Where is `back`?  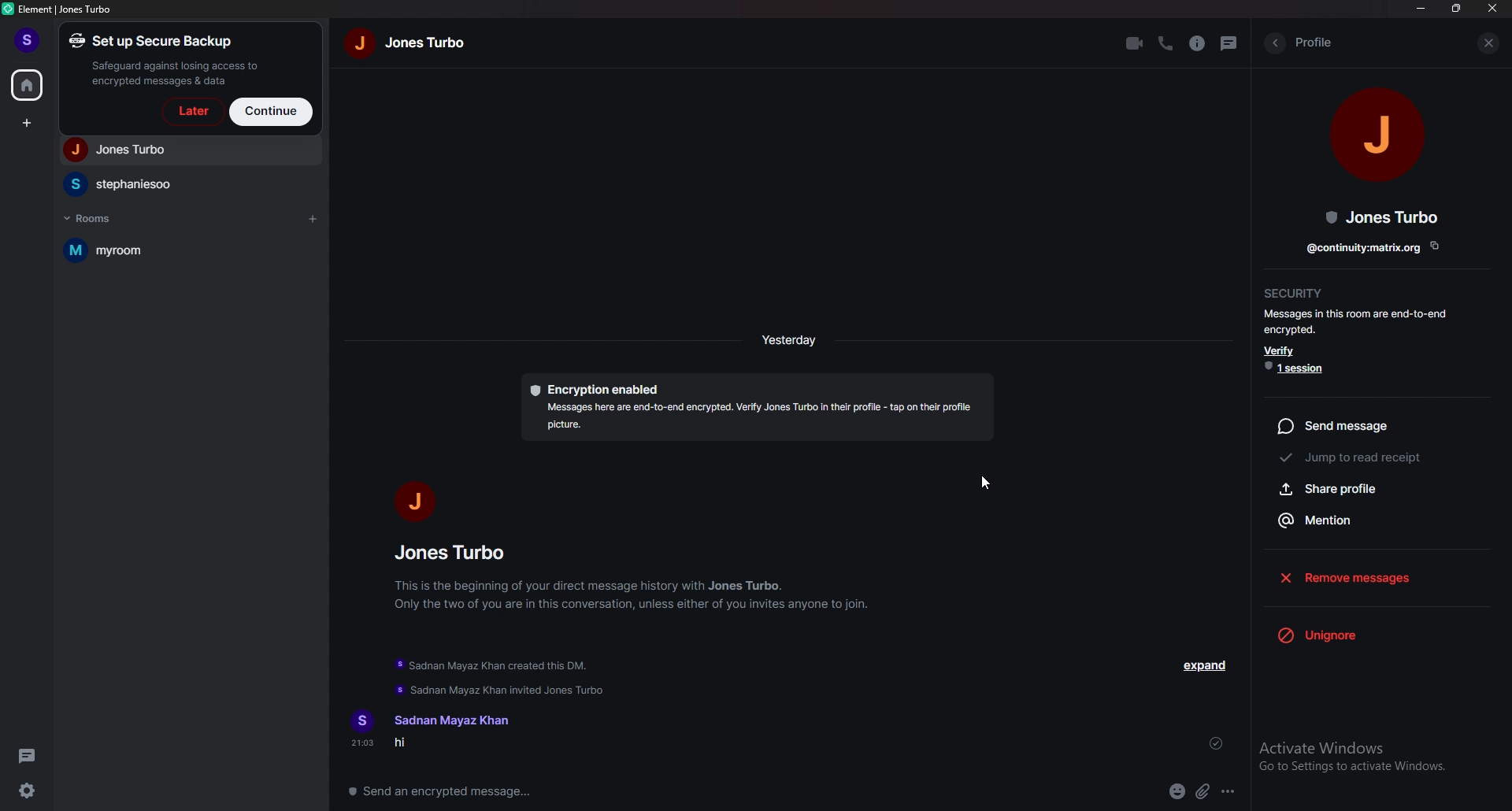 back is located at coordinates (1274, 43).